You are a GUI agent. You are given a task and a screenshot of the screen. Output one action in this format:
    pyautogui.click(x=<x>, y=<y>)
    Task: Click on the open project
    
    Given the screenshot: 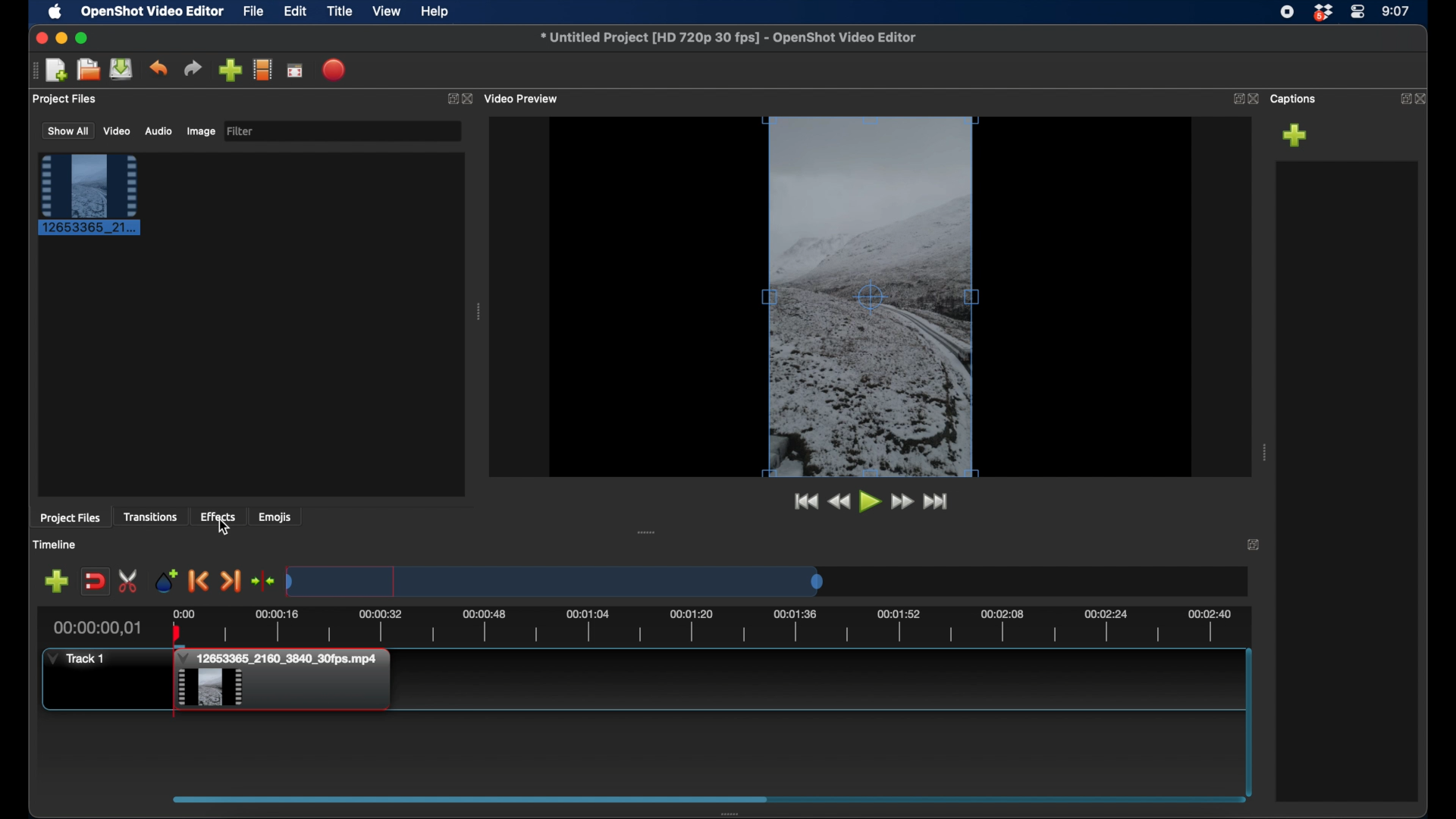 What is the action you would take?
    pyautogui.click(x=86, y=70)
    